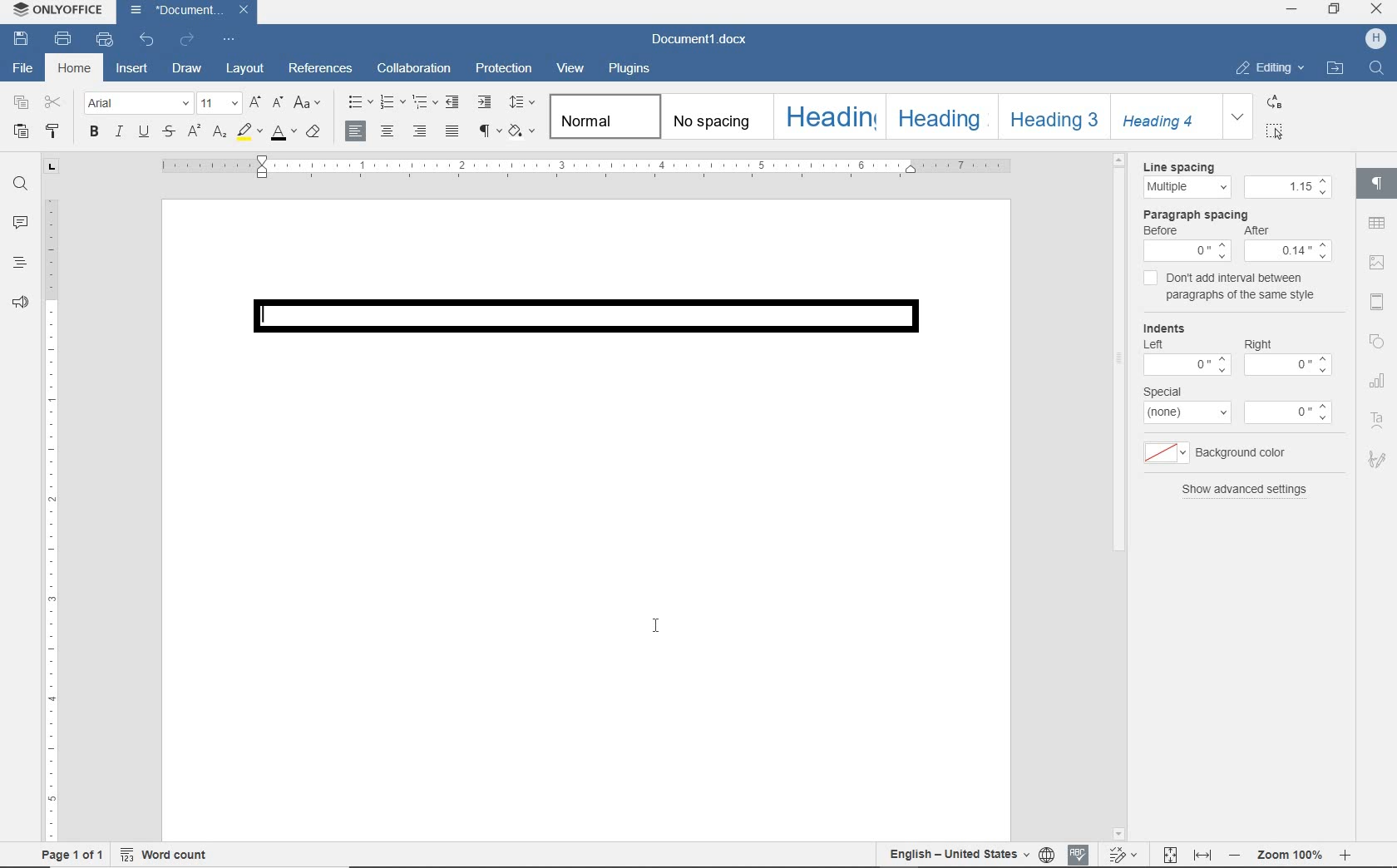 The image size is (1397, 868). What do you see at coordinates (217, 133) in the screenshot?
I see `subscript` at bounding box center [217, 133].